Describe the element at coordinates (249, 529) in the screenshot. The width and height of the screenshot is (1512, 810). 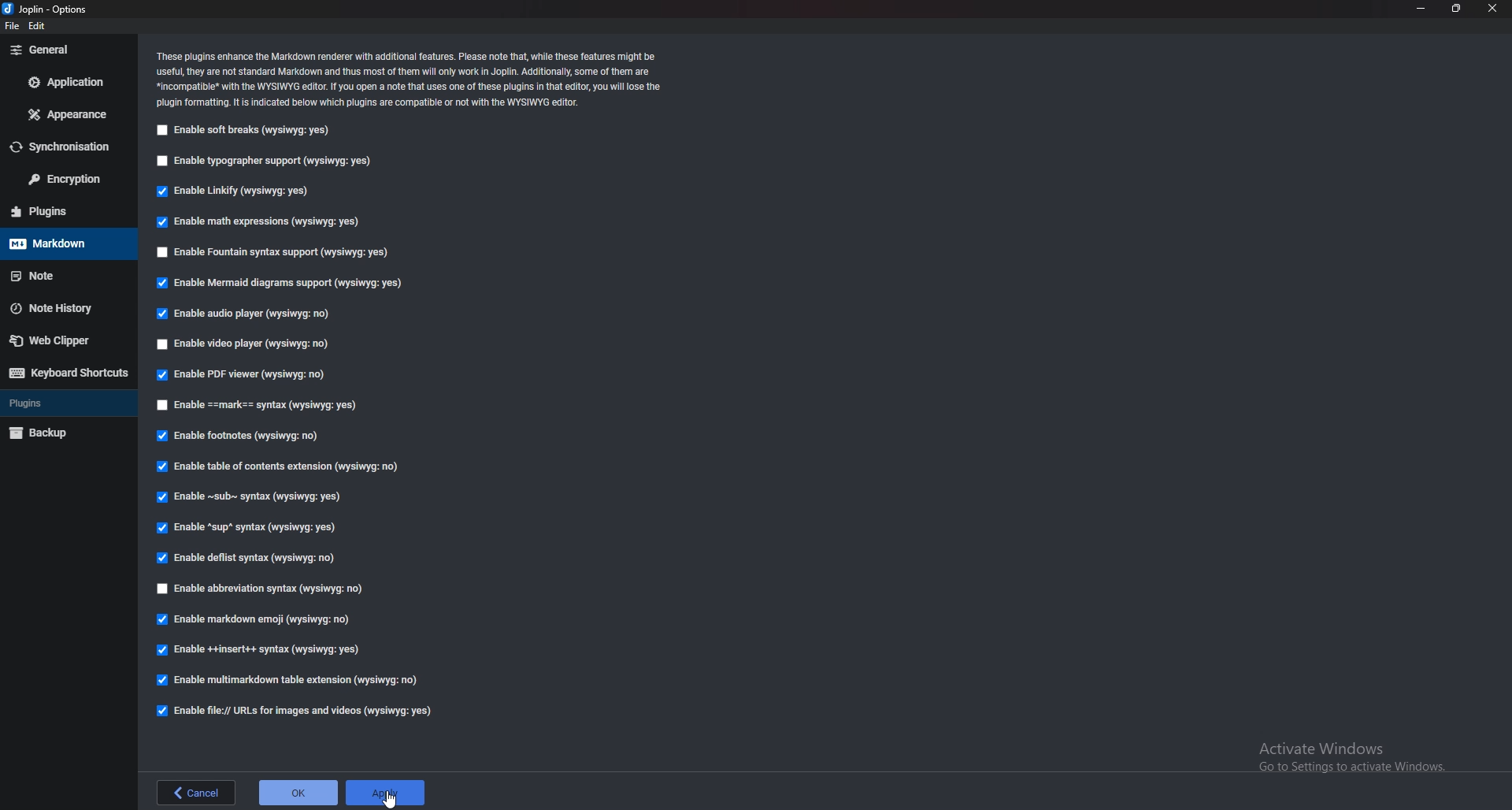
I see `Enable sup syntax` at that location.